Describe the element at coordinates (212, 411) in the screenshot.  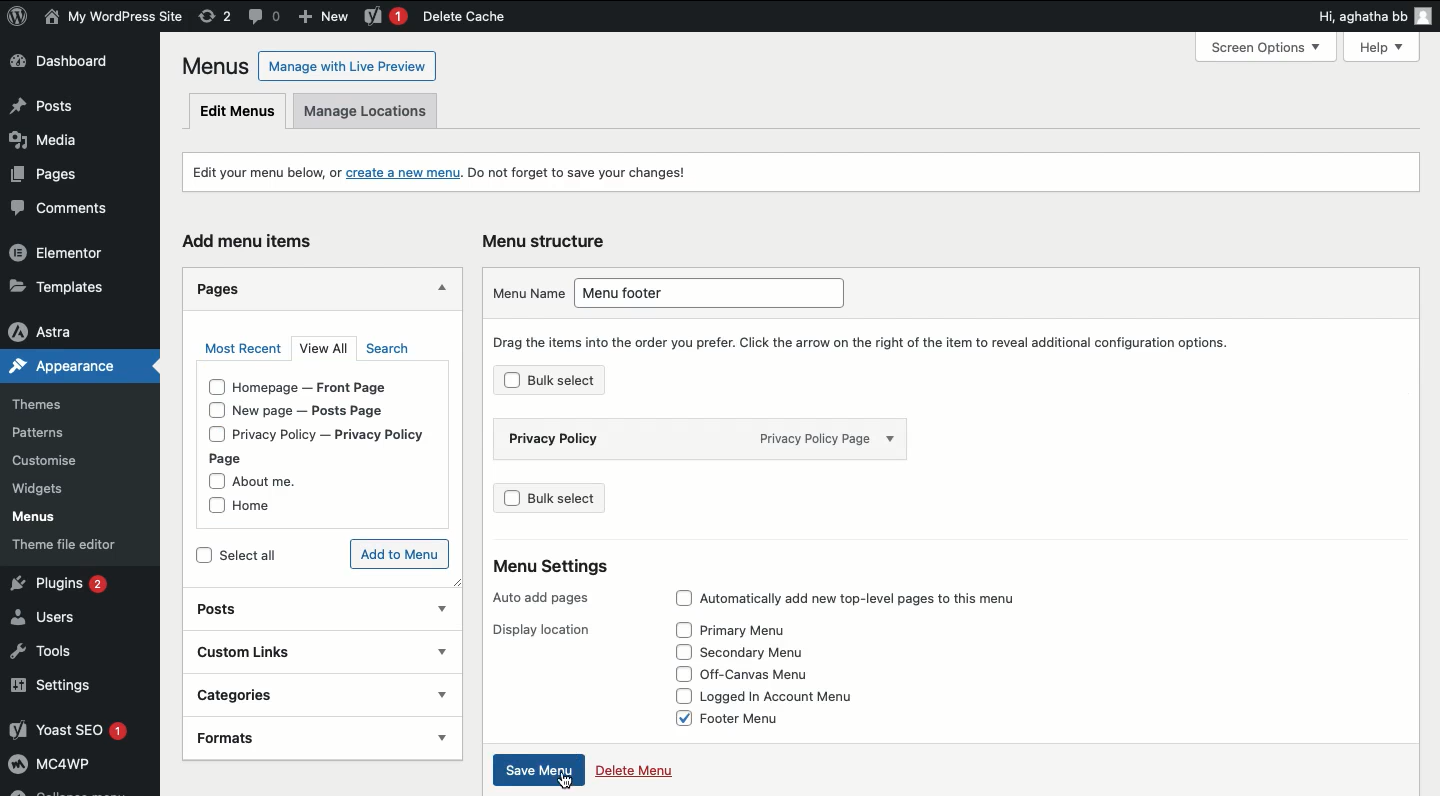
I see `checkbox` at that location.